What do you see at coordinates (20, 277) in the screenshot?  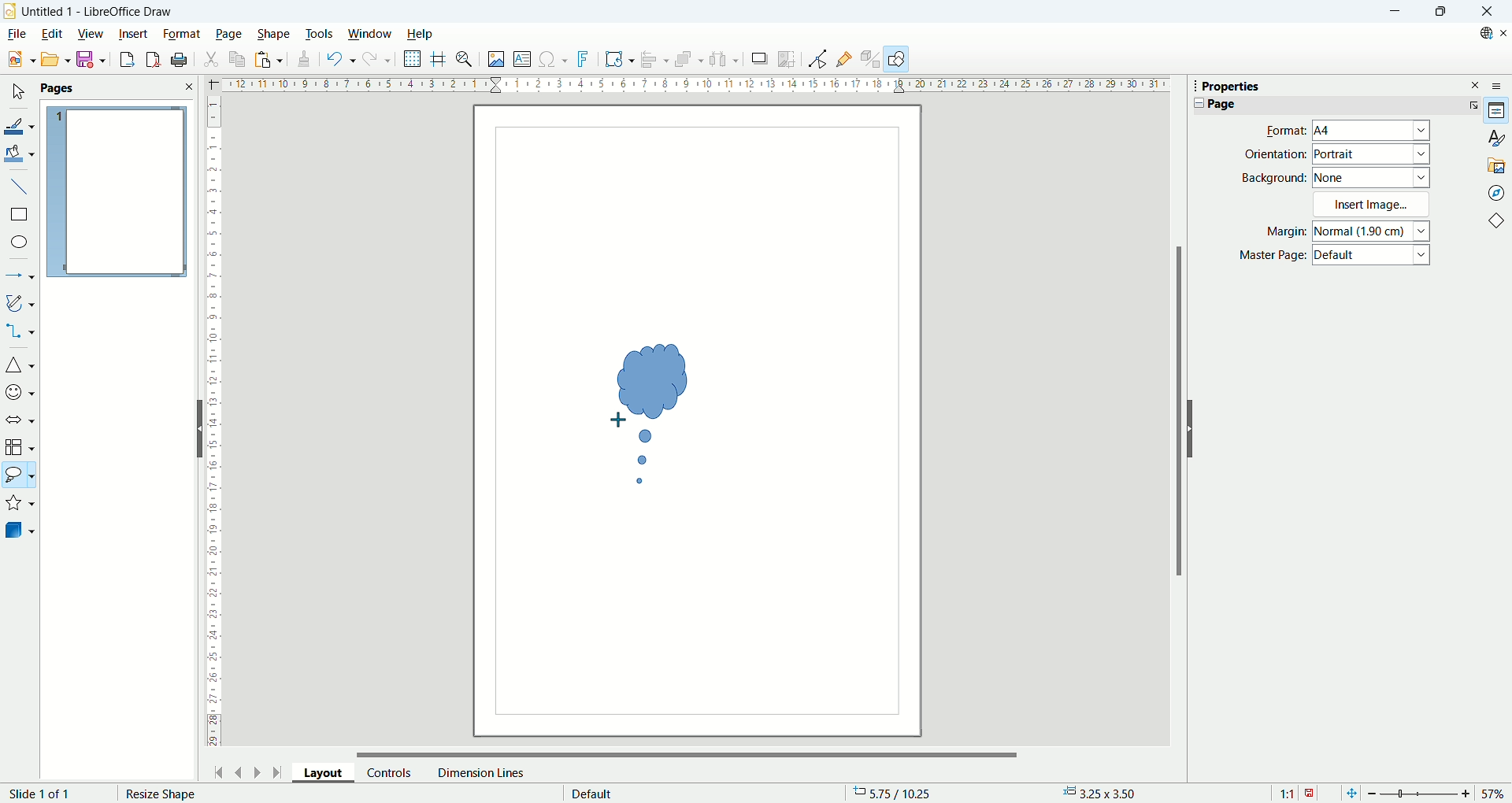 I see `lines and arrows` at bounding box center [20, 277].